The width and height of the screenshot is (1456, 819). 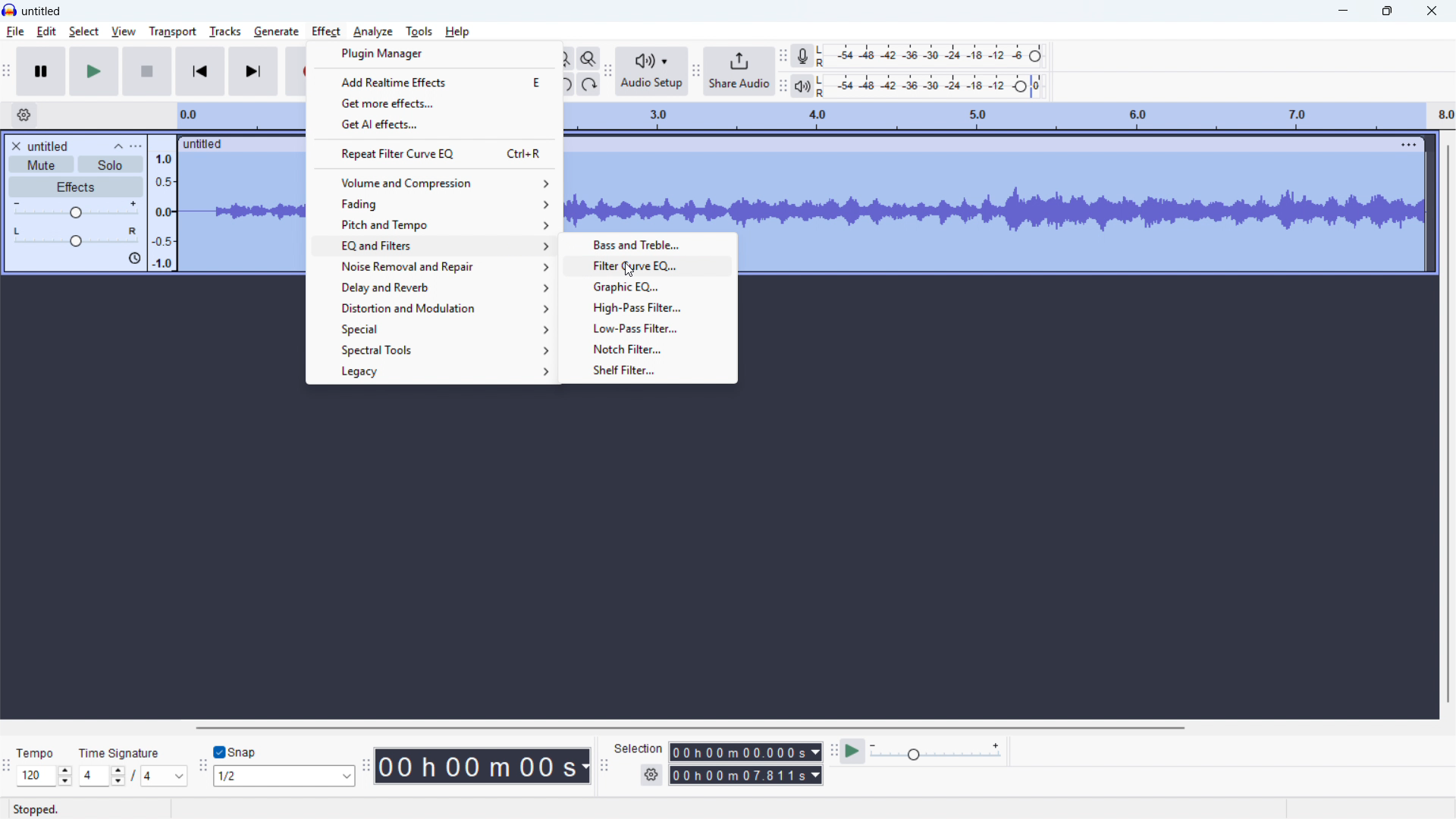 What do you see at coordinates (1448, 424) in the screenshot?
I see `Vertical scroll bar ` at bounding box center [1448, 424].